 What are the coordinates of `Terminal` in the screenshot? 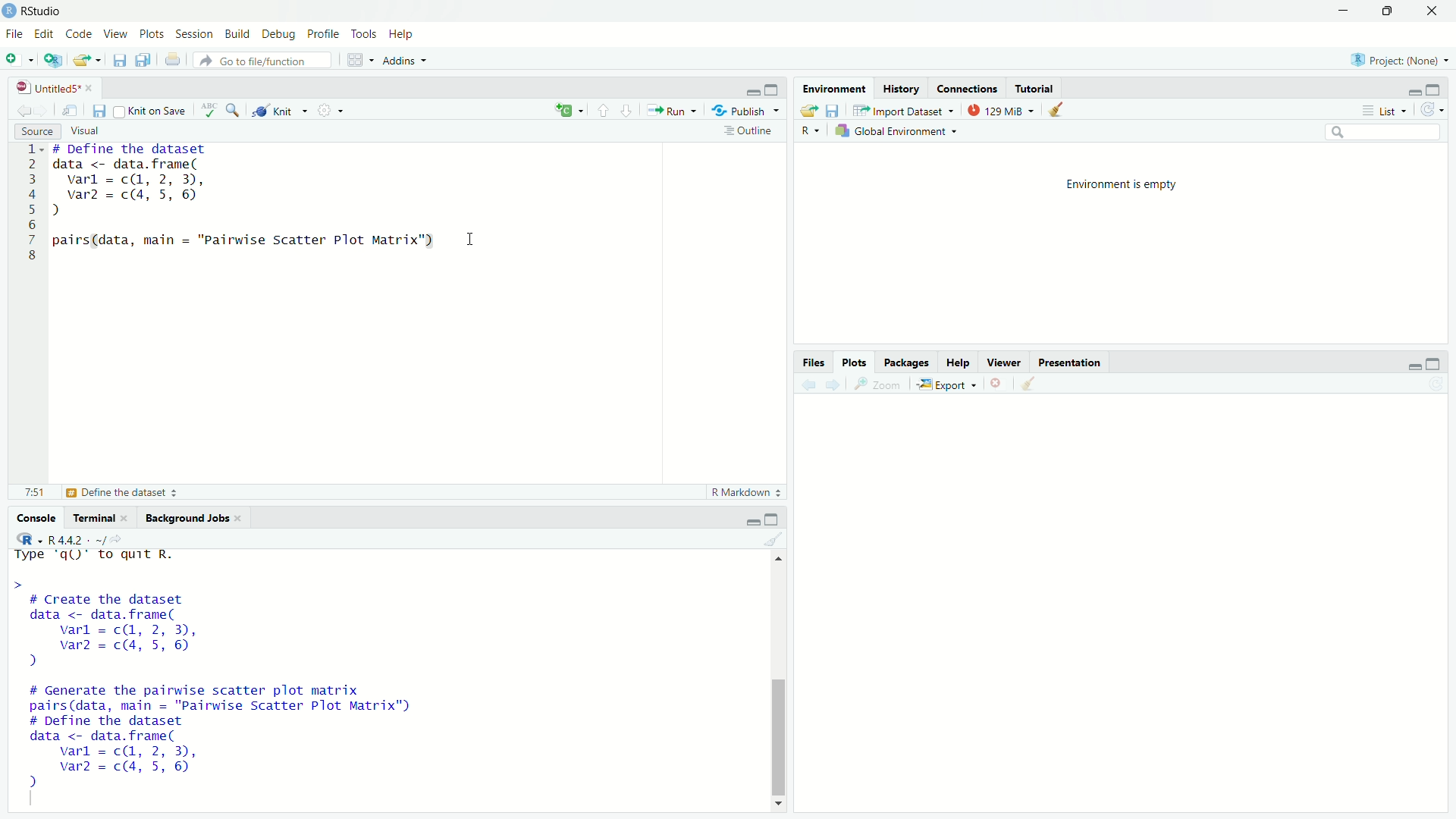 It's located at (99, 516).